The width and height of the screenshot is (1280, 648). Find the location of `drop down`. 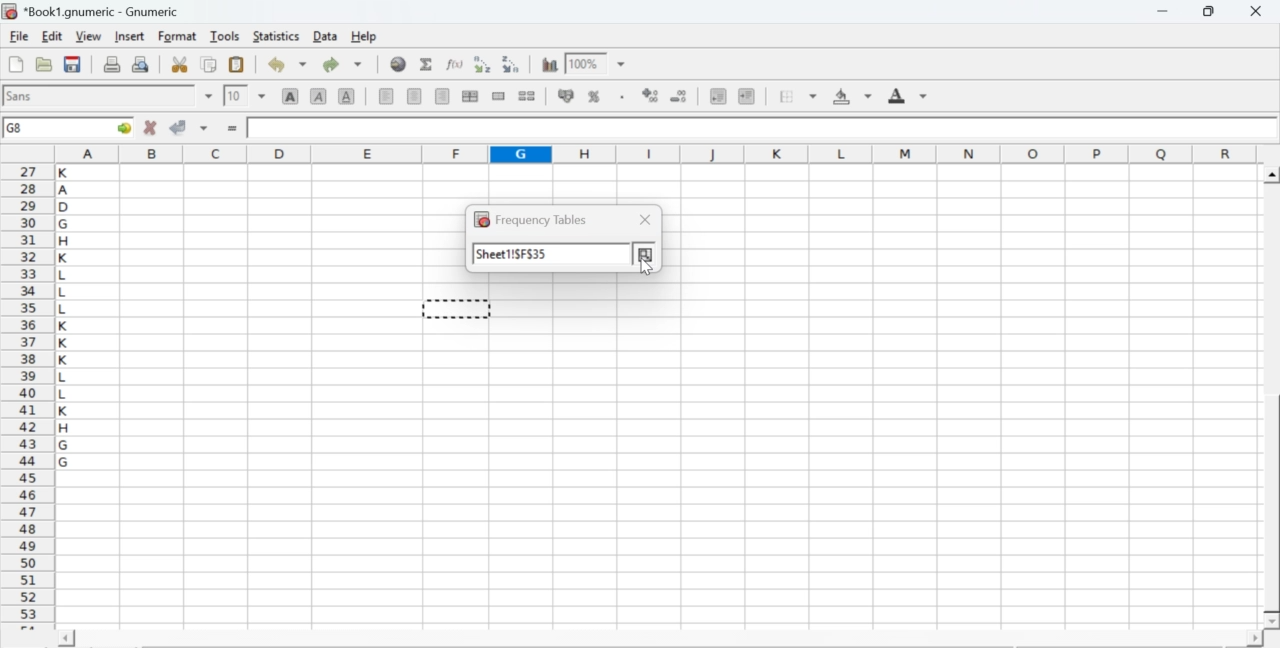

drop down is located at coordinates (622, 65).